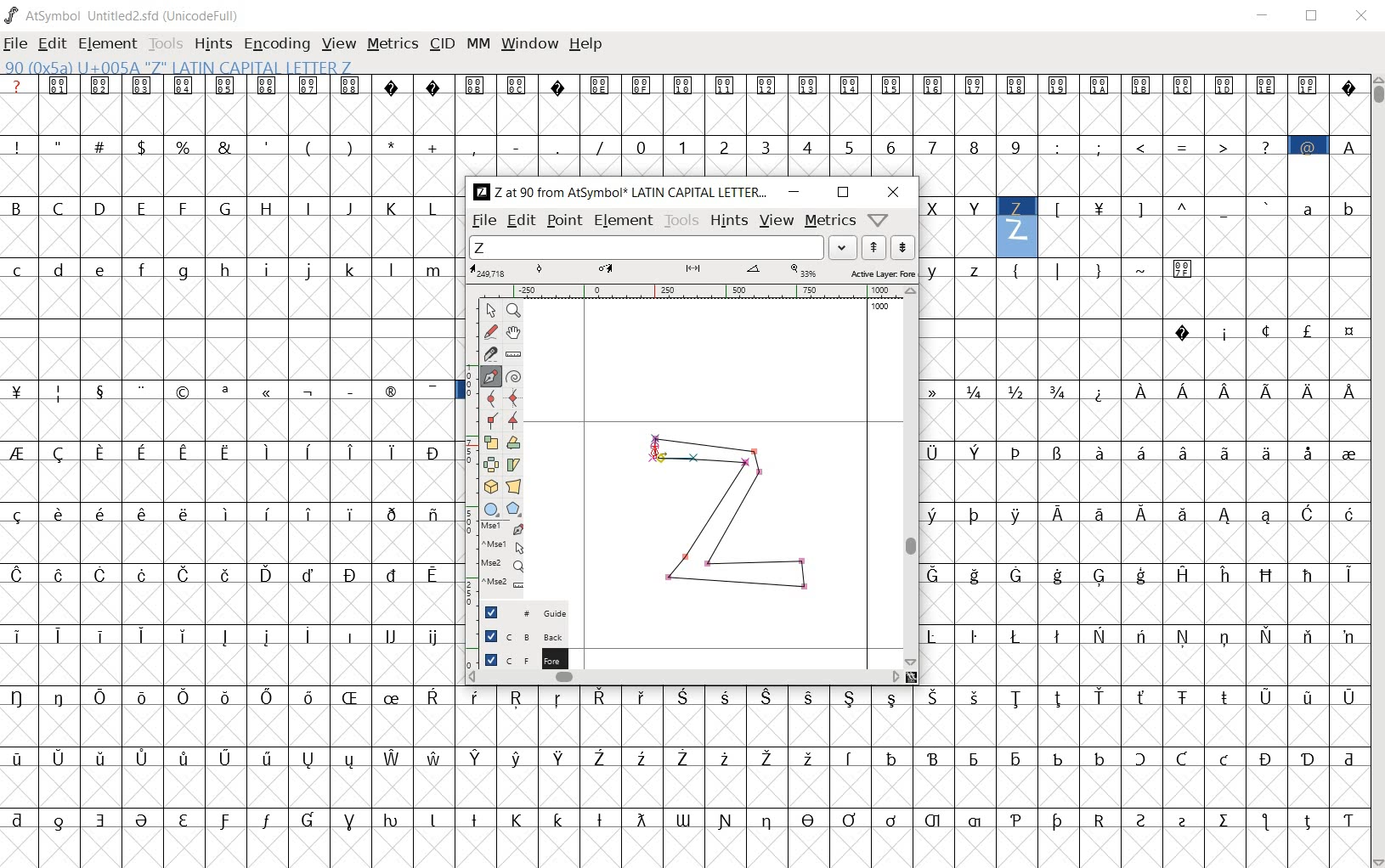  Describe the element at coordinates (1314, 18) in the screenshot. I see `restore down` at that location.